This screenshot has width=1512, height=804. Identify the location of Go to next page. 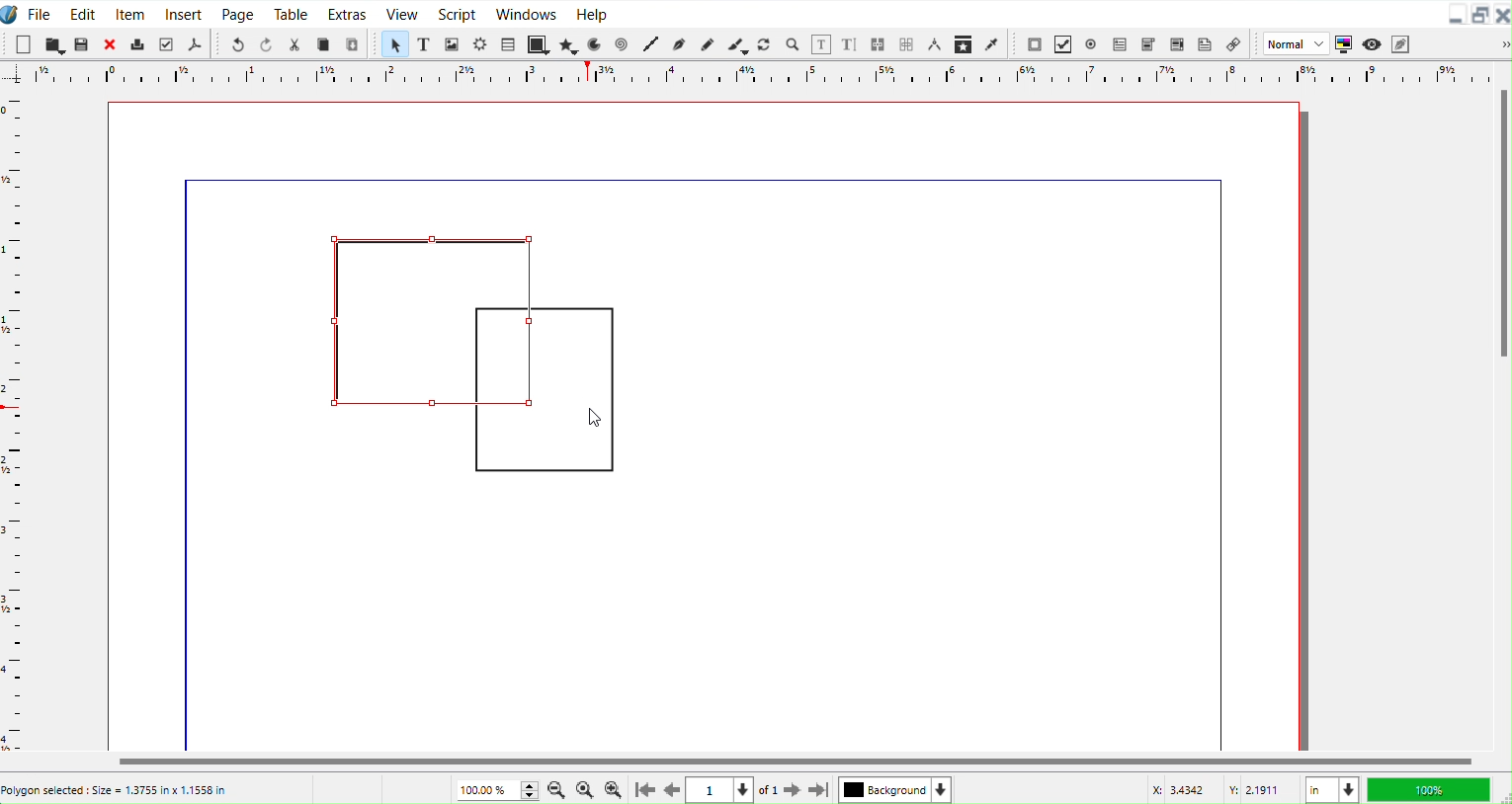
(795, 791).